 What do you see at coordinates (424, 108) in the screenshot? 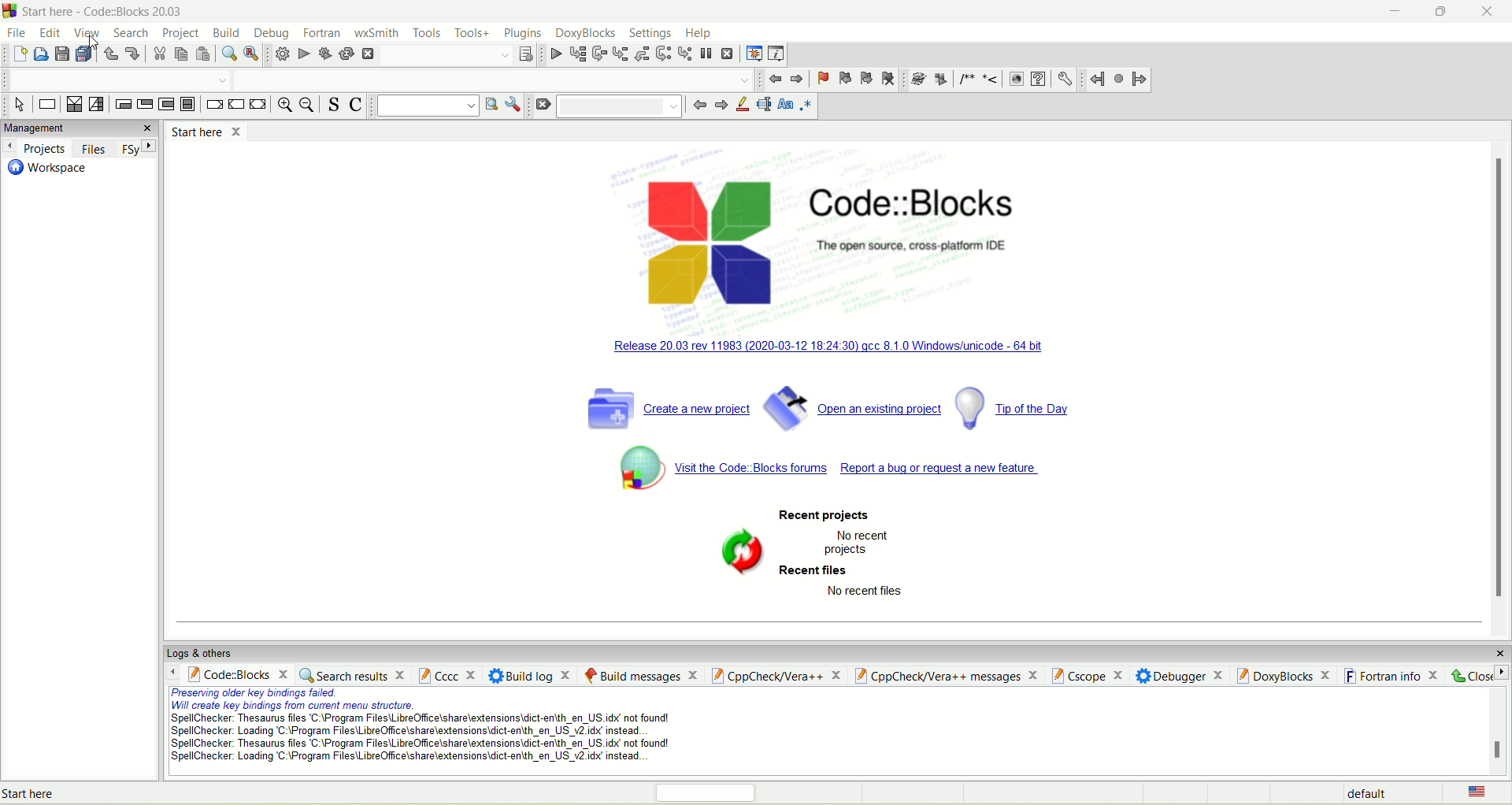
I see `text search` at bounding box center [424, 108].